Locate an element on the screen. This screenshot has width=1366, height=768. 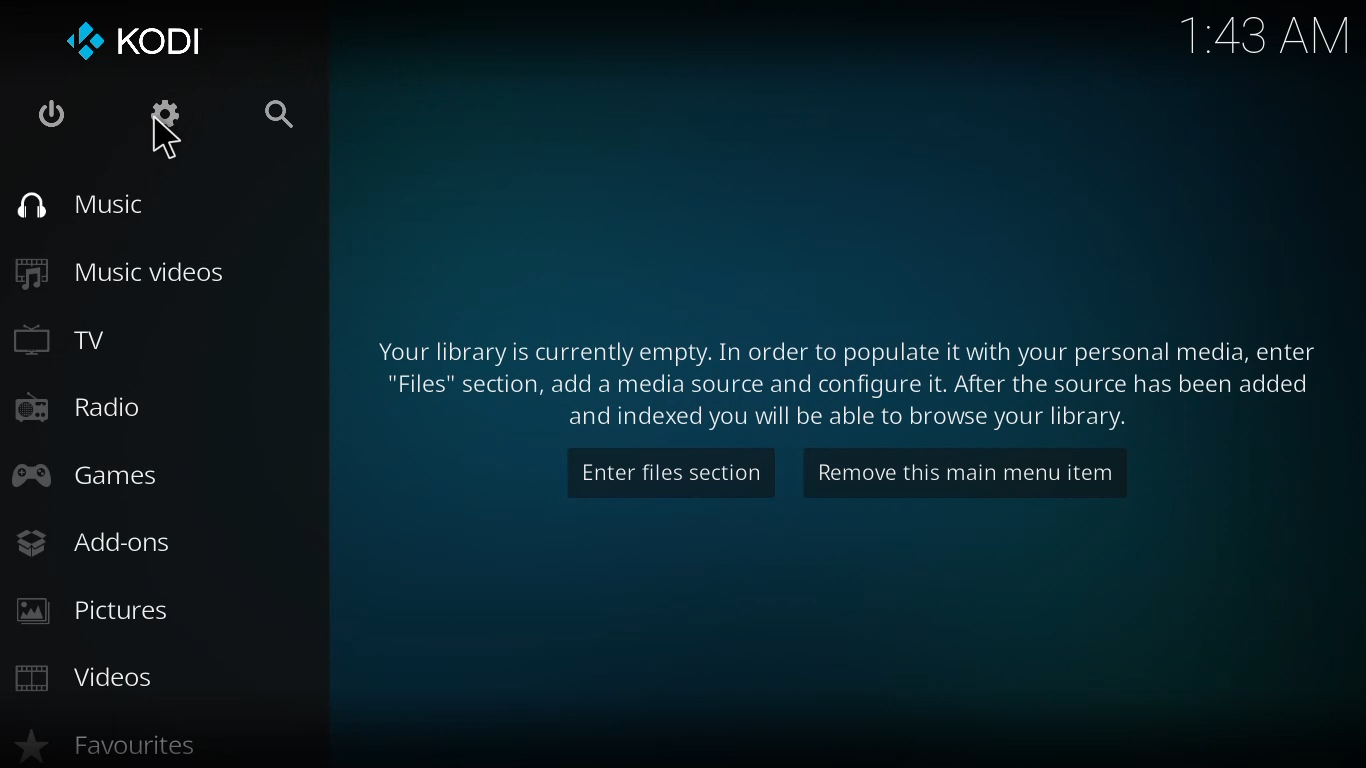
music videos is located at coordinates (121, 273).